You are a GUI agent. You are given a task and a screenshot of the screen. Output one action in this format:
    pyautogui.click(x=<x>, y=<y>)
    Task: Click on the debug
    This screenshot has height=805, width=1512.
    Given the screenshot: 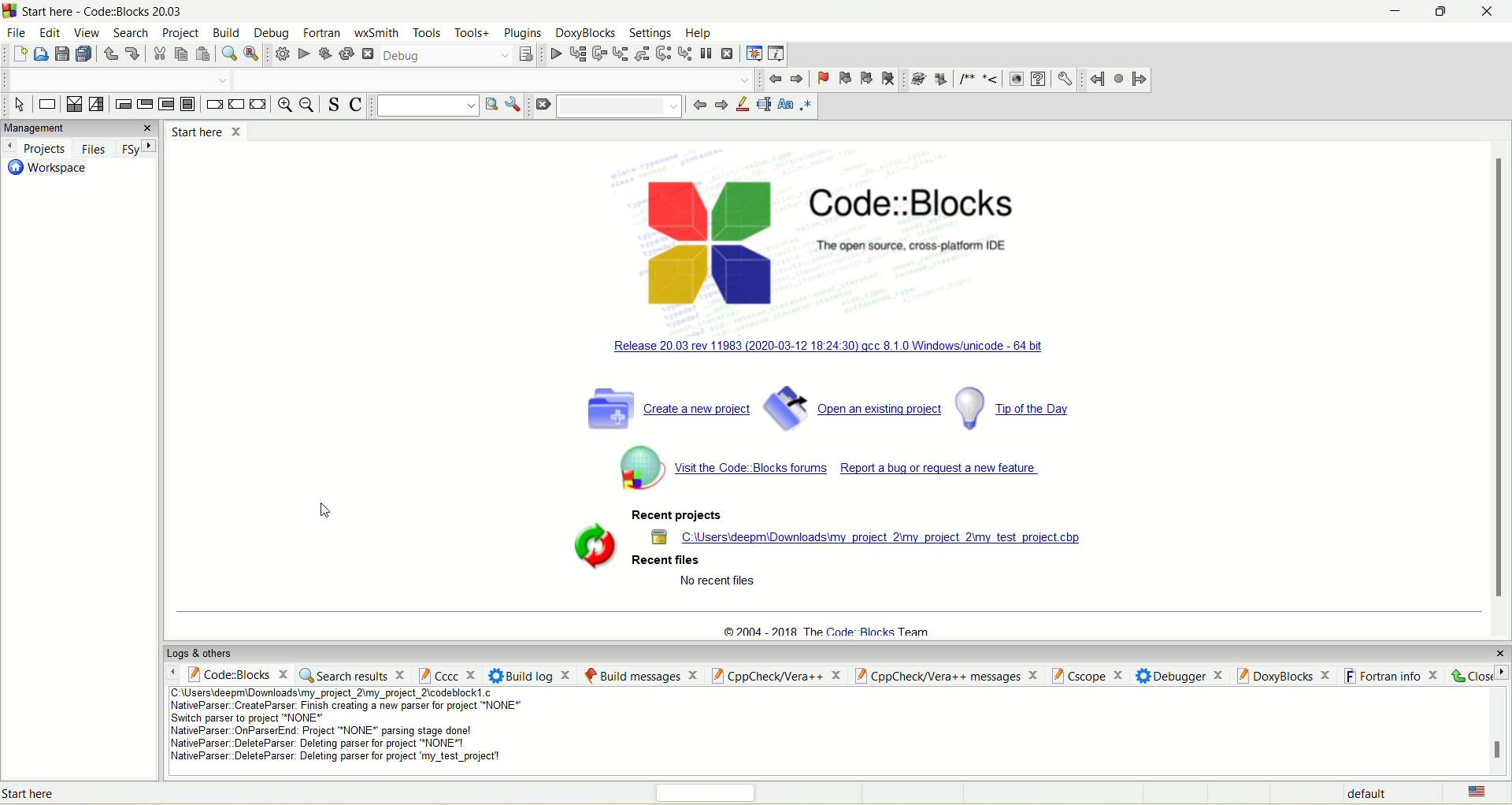 What is the action you would take?
    pyautogui.click(x=554, y=56)
    